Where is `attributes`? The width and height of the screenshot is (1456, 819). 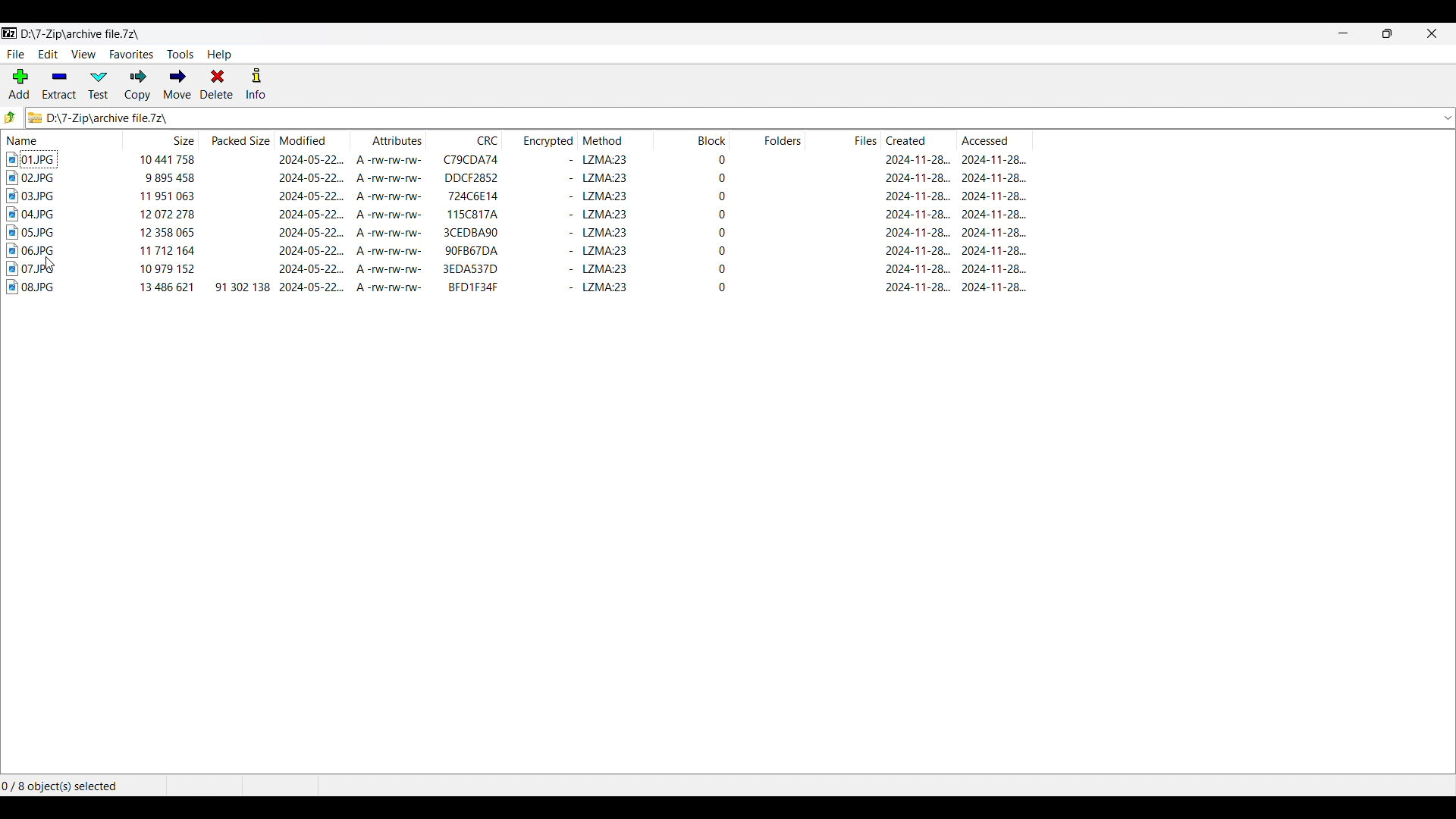 attributes is located at coordinates (388, 178).